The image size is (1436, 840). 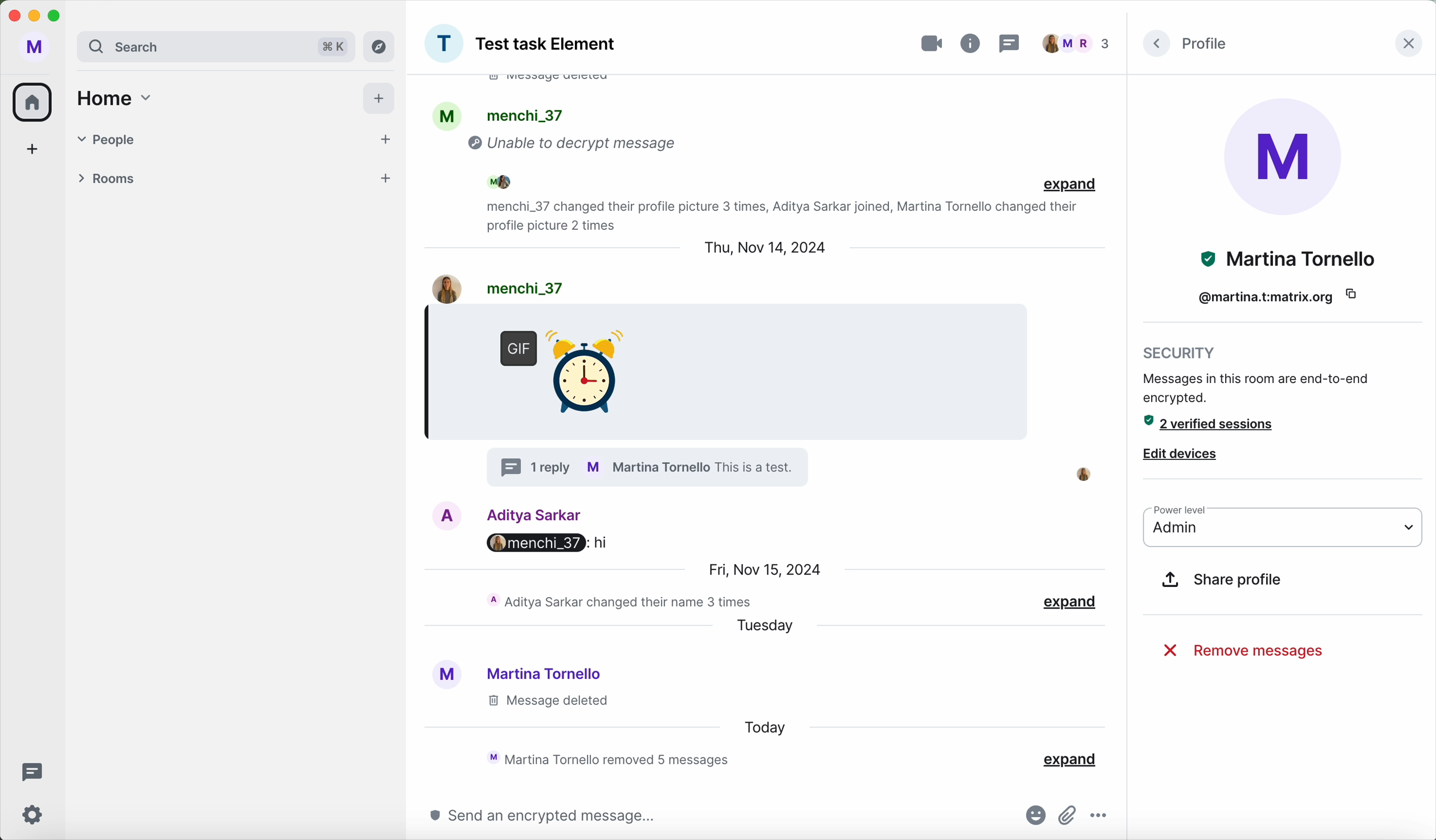 What do you see at coordinates (198, 137) in the screenshot?
I see `people` at bounding box center [198, 137].